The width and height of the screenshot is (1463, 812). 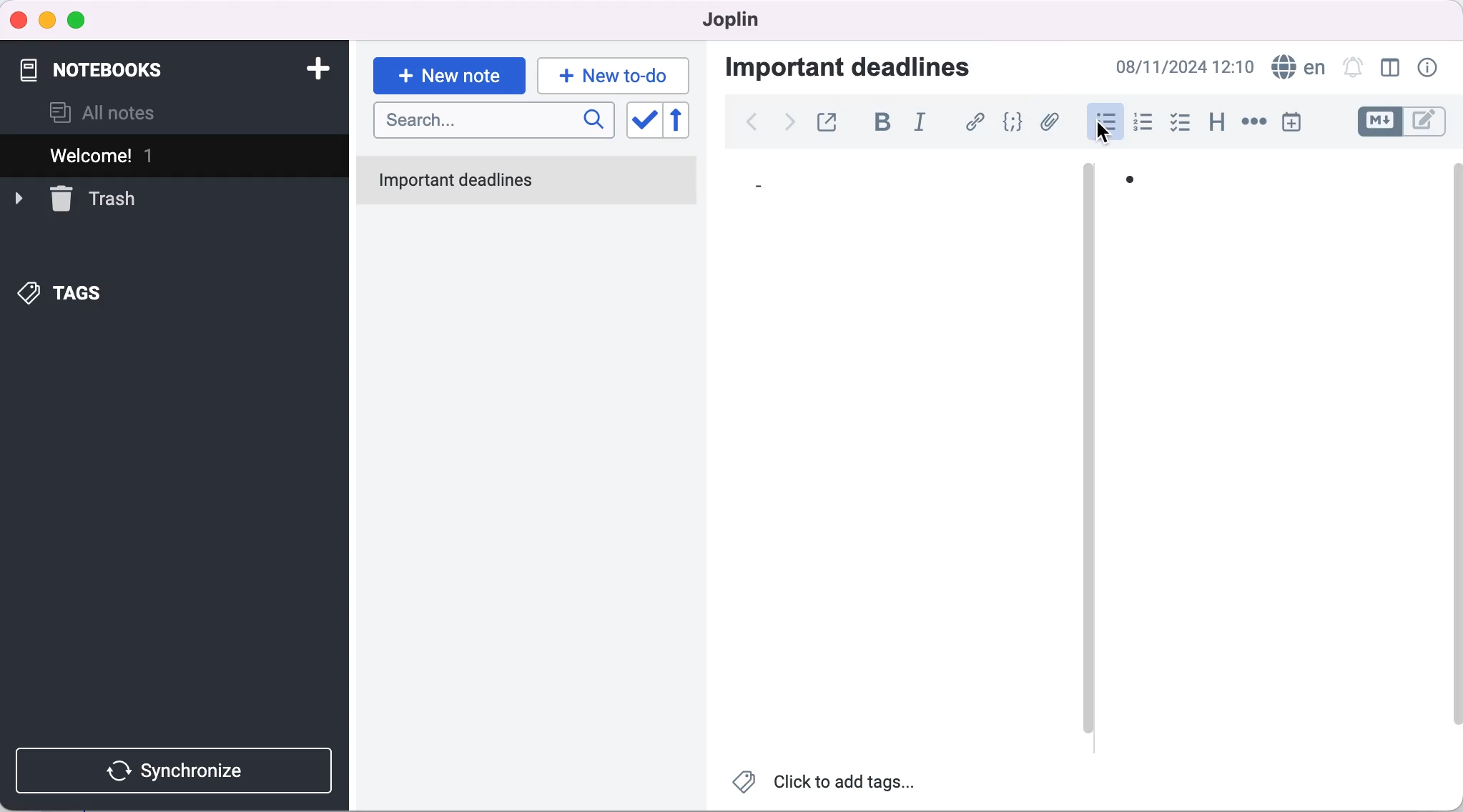 What do you see at coordinates (94, 199) in the screenshot?
I see `trash` at bounding box center [94, 199].